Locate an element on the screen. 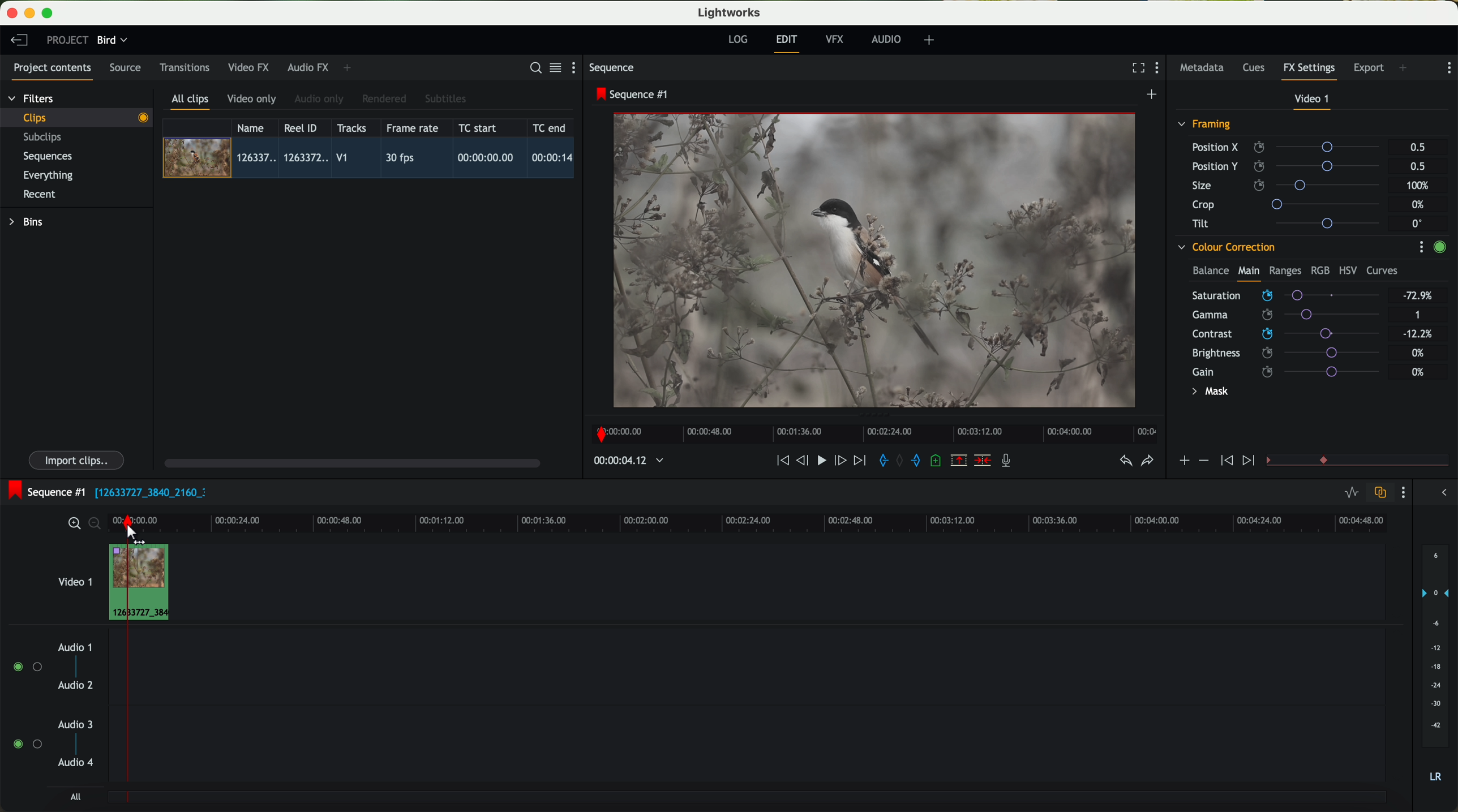  video 1 is located at coordinates (74, 579).